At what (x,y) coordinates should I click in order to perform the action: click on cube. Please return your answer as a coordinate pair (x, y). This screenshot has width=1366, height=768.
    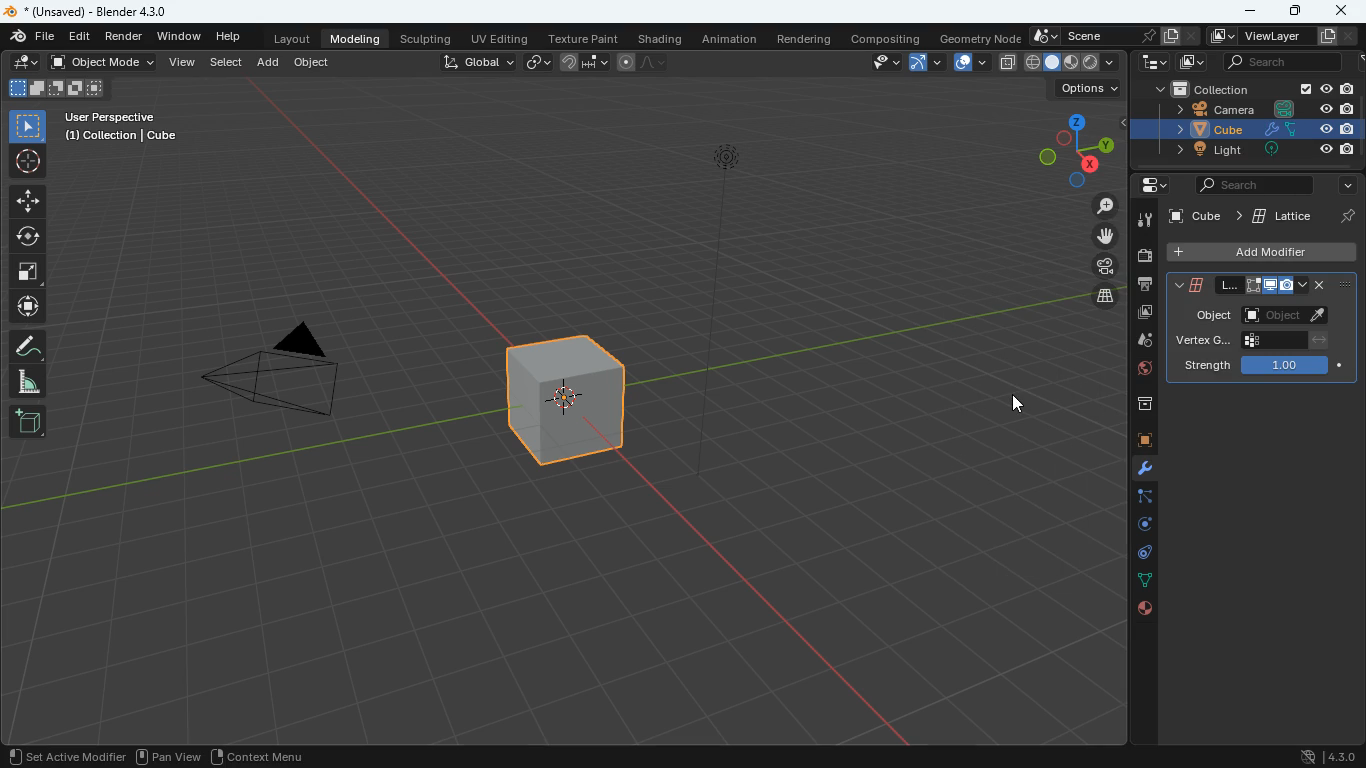
    Looking at the image, I should click on (1259, 130).